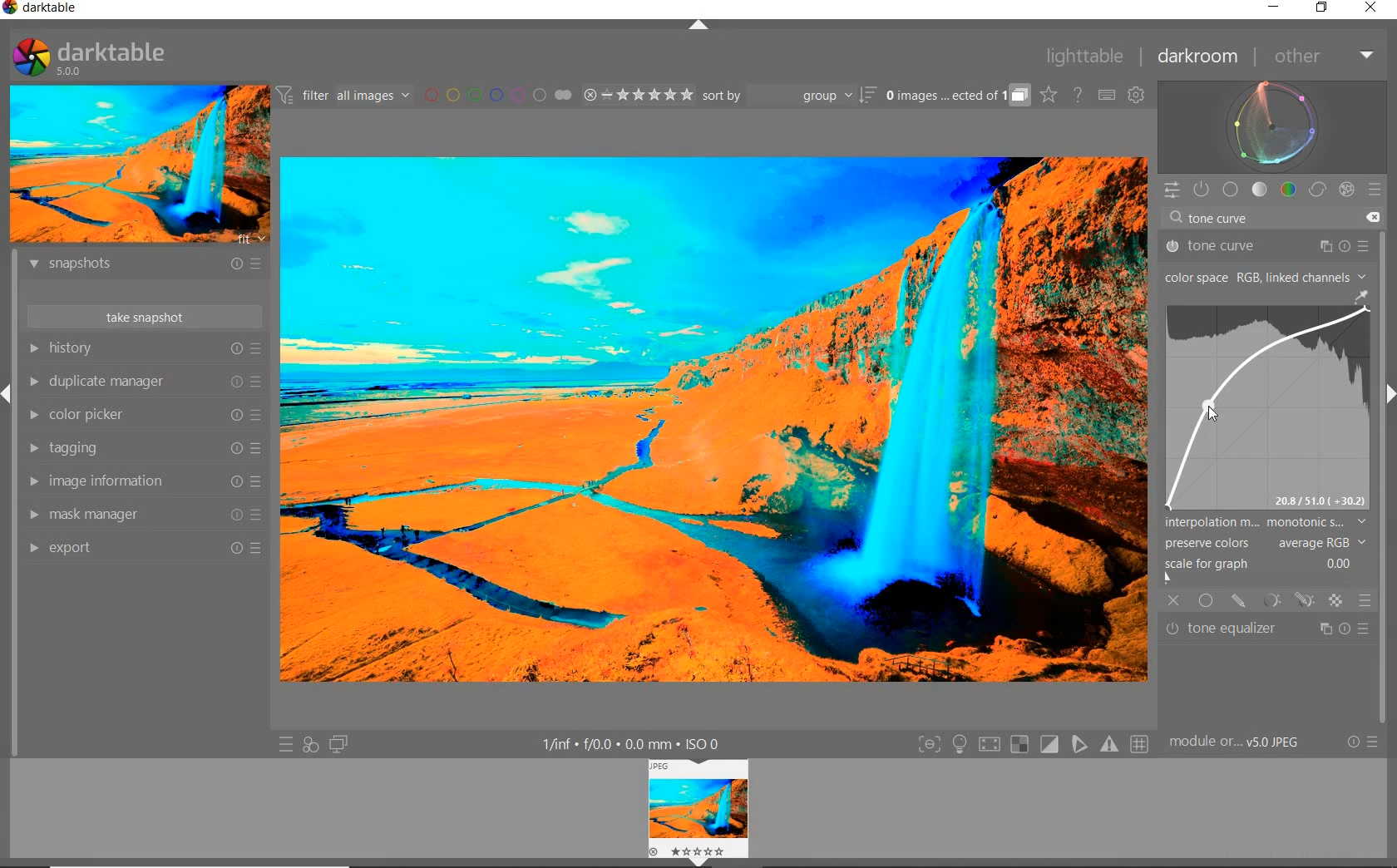 The height and width of the screenshot is (868, 1397). What do you see at coordinates (339, 744) in the screenshot?
I see `DISPLAY A SECOND DARKROOM IMAGE WINDOW` at bounding box center [339, 744].